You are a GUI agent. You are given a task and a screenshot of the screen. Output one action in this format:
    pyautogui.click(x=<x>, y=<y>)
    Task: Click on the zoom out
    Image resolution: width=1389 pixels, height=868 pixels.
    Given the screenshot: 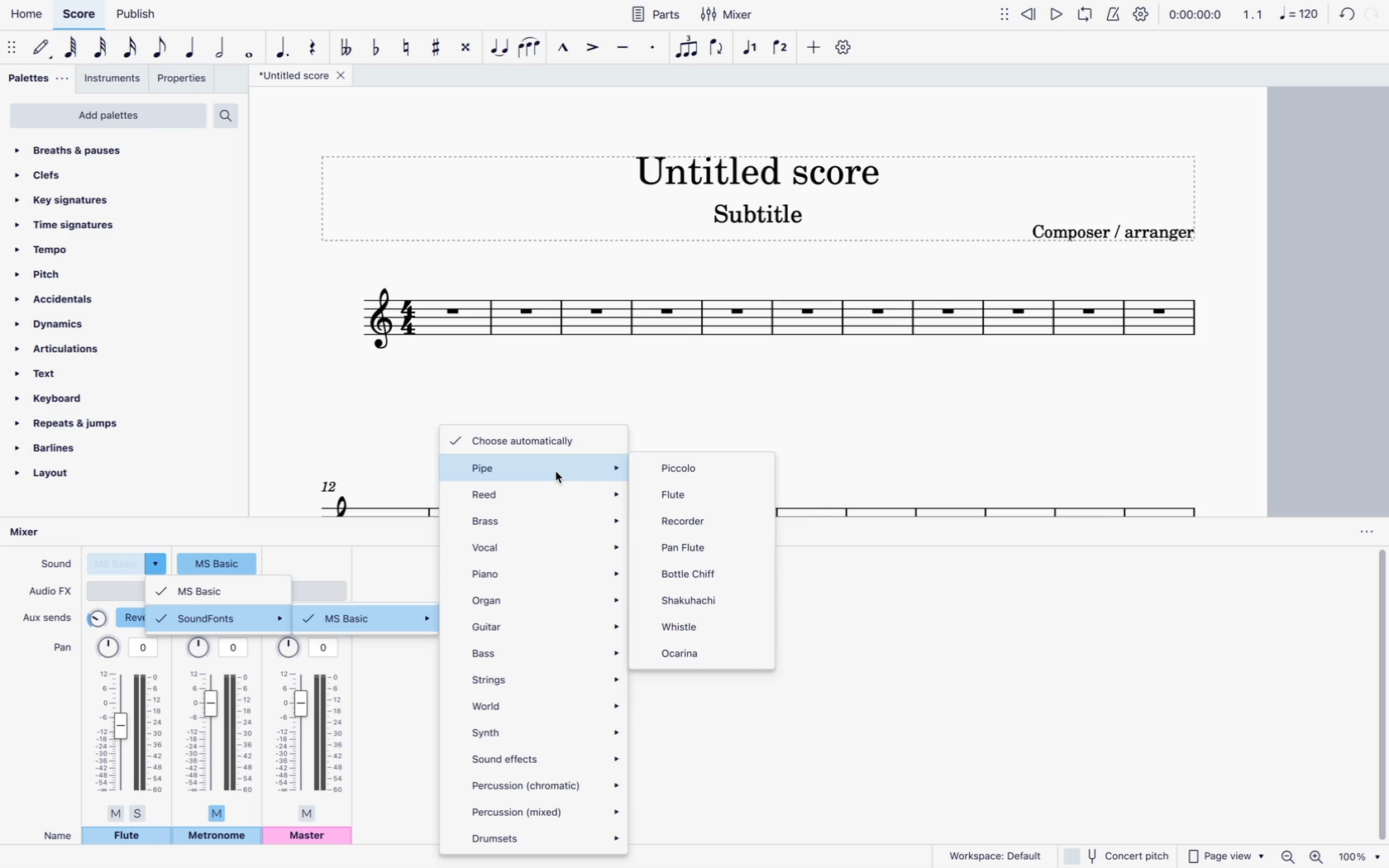 What is the action you would take?
    pyautogui.click(x=1291, y=856)
    